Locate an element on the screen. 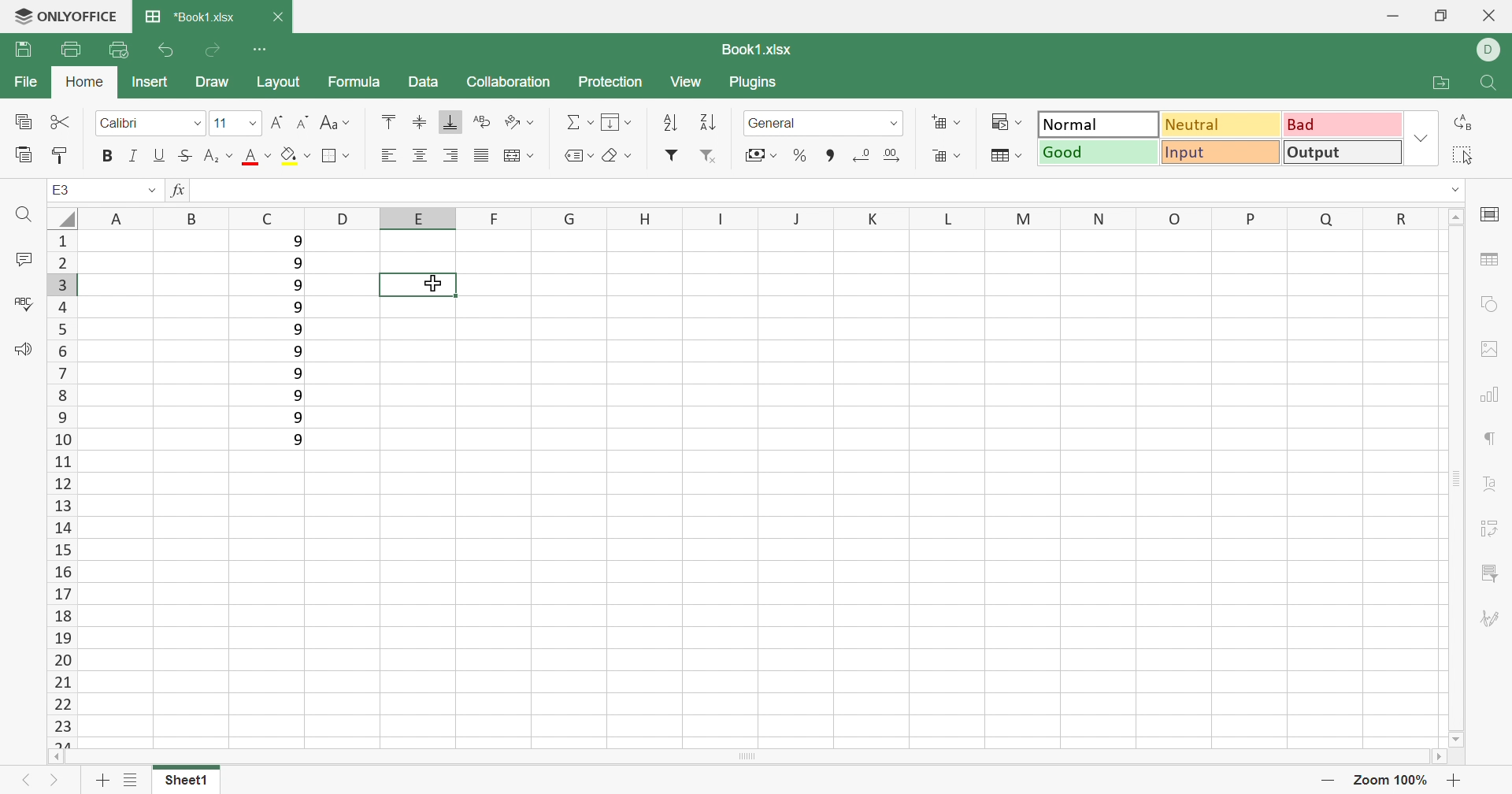 This screenshot has height=794, width=1512. Copy is located at coordinates (25, 123).